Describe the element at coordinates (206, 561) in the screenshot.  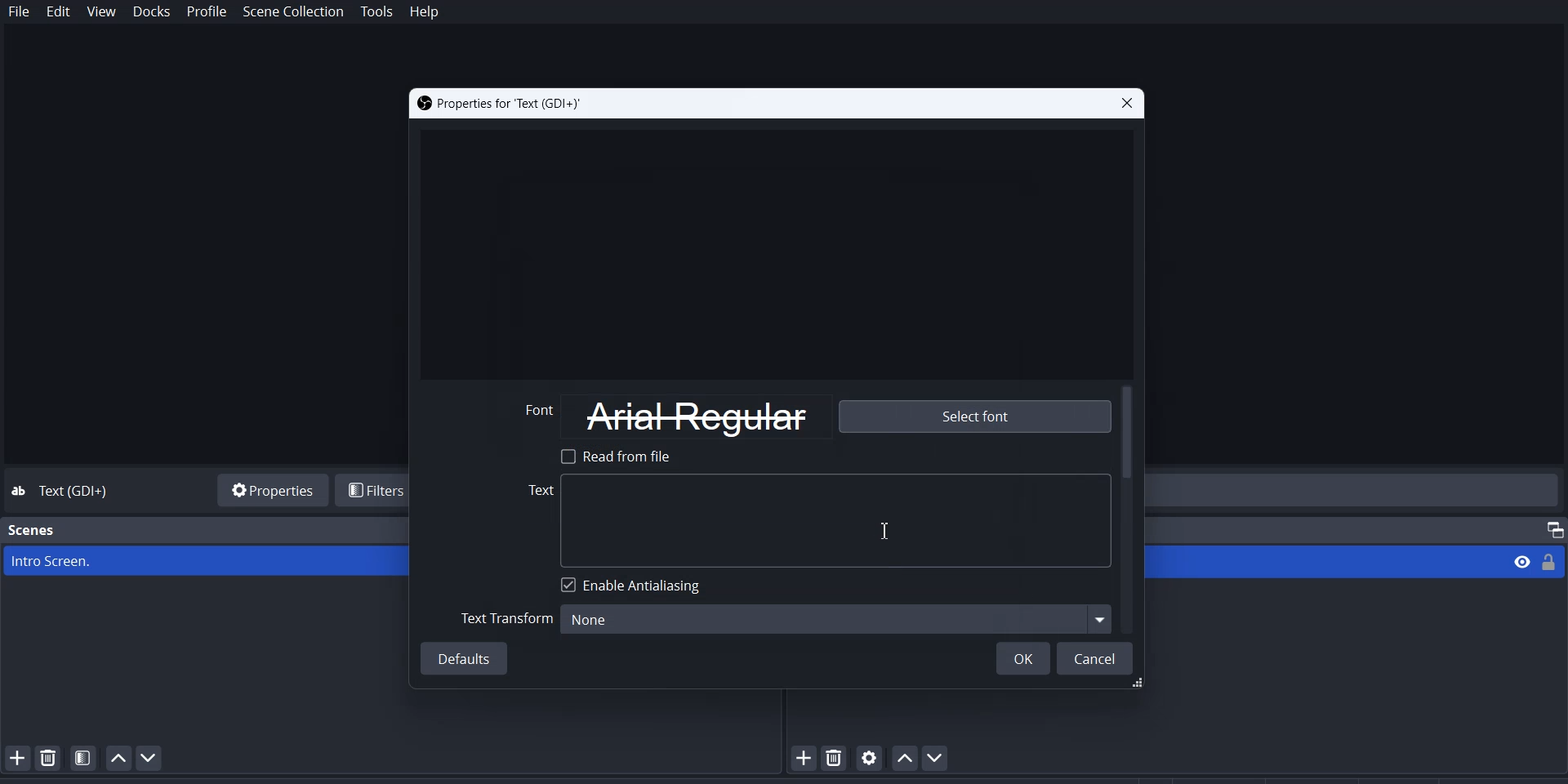
I see `Intro Screen` at that location.